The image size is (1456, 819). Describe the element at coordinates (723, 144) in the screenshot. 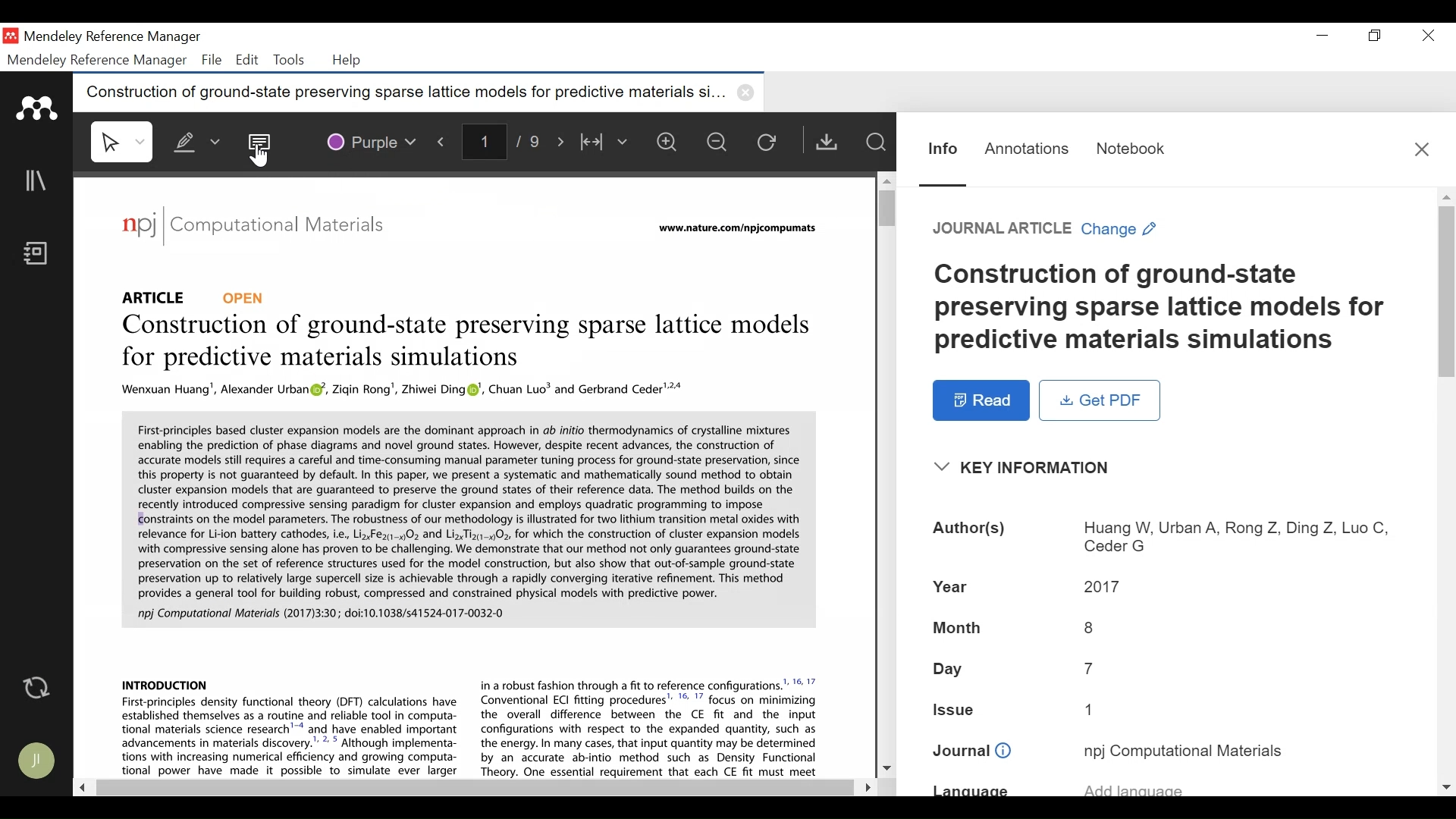

I see `Zoom out` at that location.